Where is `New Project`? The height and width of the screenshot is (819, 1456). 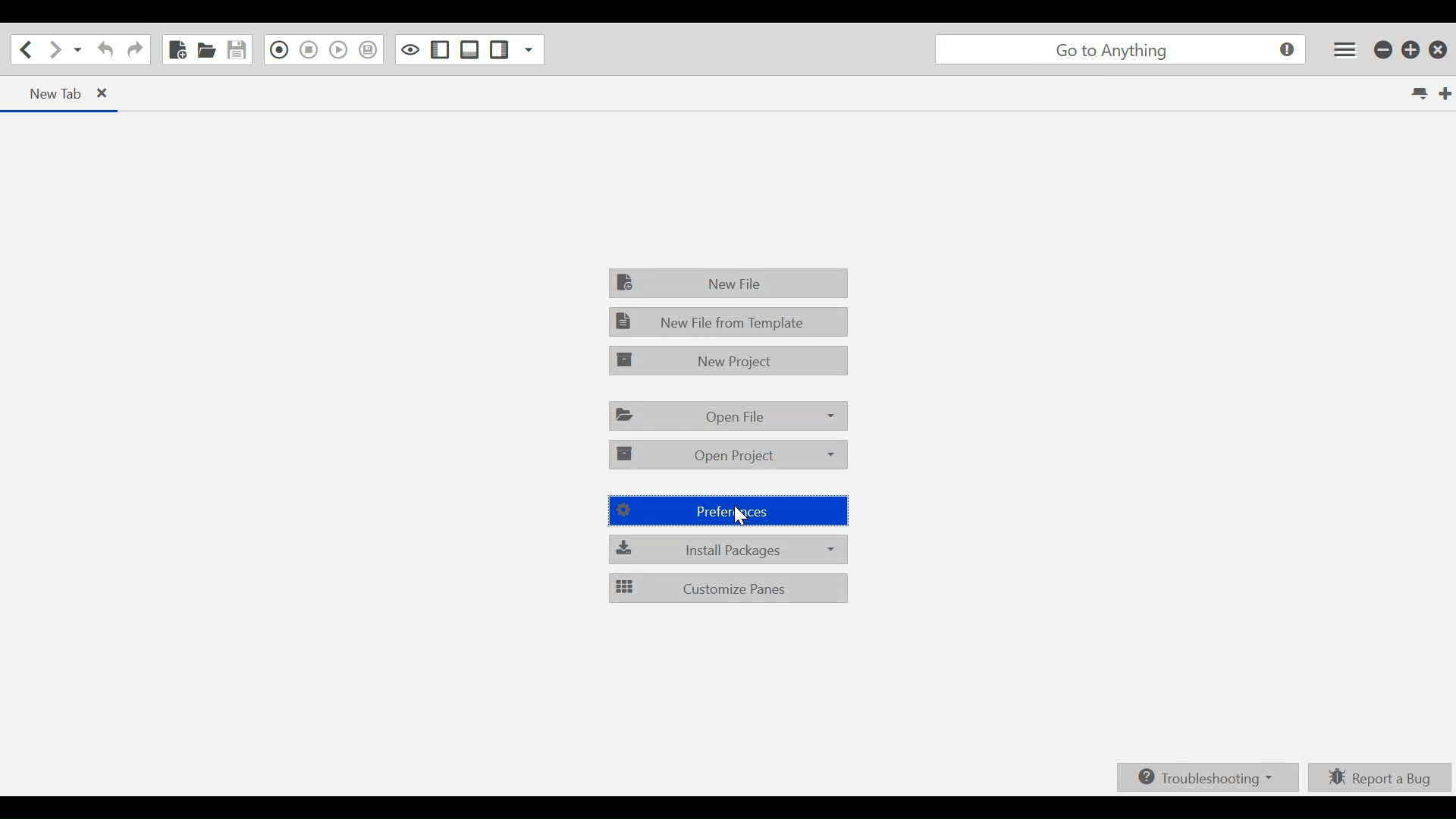
New Project is located at coordinates (727, 359).